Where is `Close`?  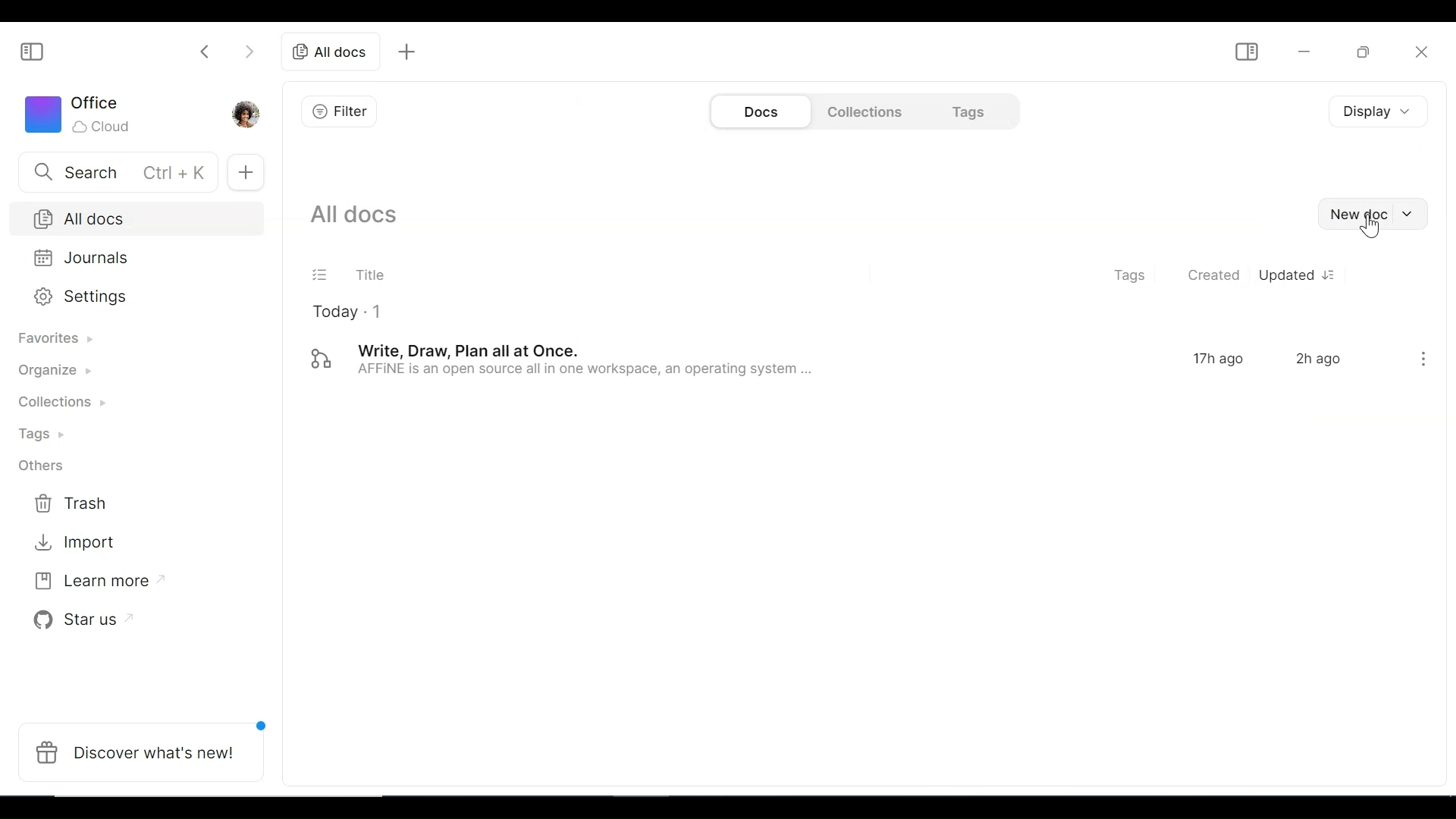 Close is located at coordinates (1421, 49).